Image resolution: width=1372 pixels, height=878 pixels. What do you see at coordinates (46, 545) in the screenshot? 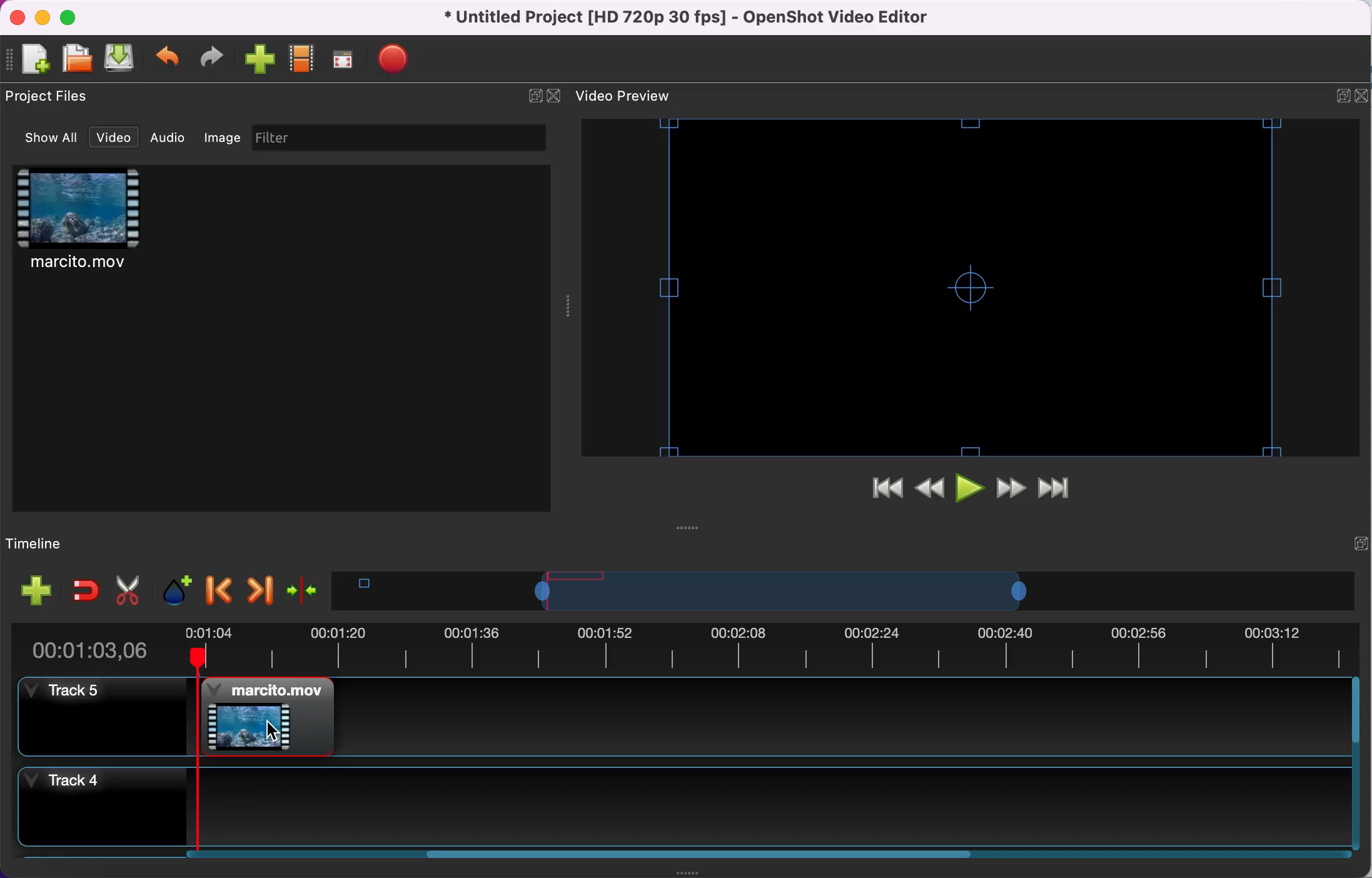
I see `timeline` at bounding box center [46, 545].